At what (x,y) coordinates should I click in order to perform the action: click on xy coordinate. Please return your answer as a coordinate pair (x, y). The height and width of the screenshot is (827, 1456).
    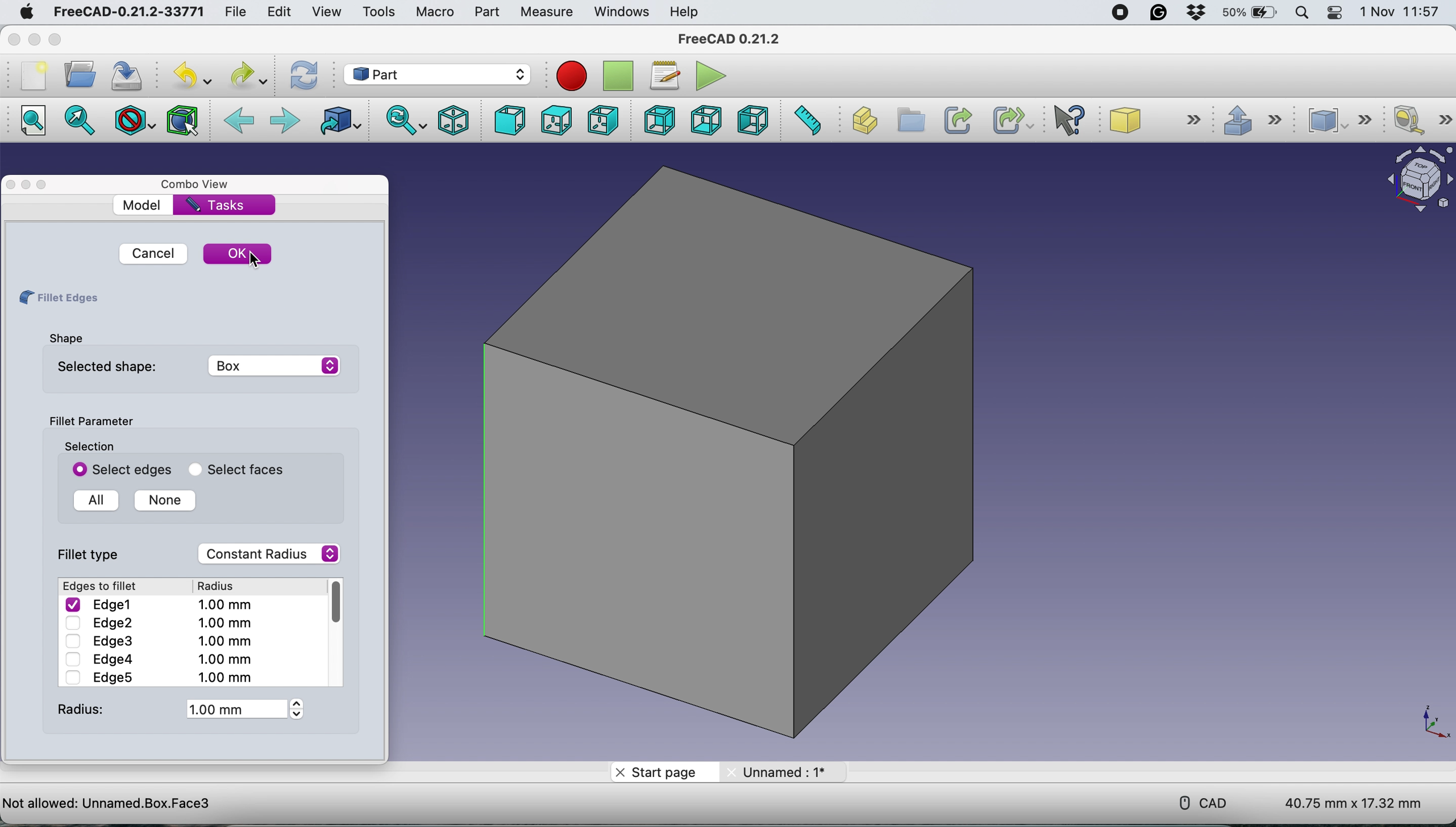
    Looking at the image, I should click on (1421, 721).